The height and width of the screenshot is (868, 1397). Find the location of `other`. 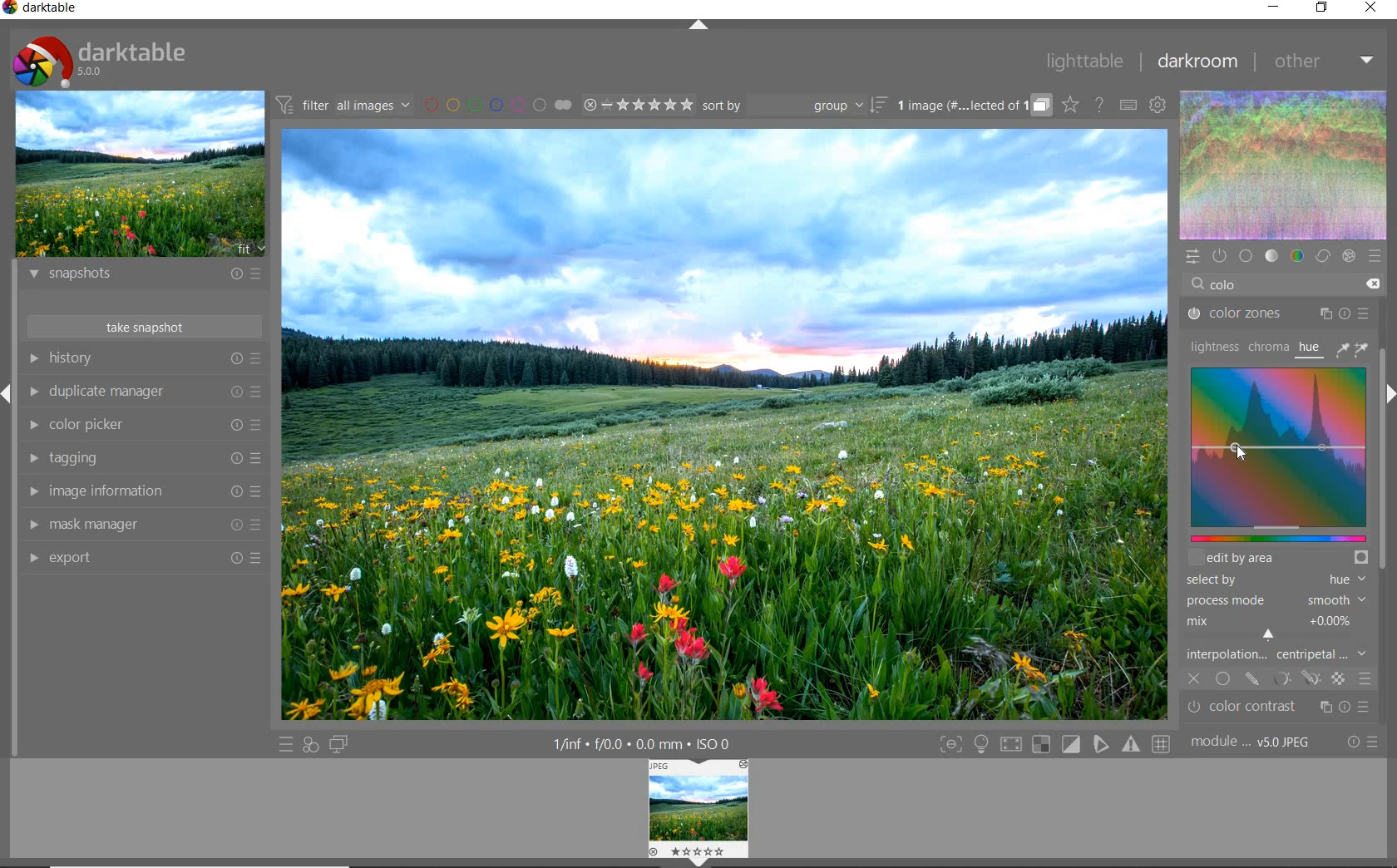

other is located at coordinates (1326, 61).